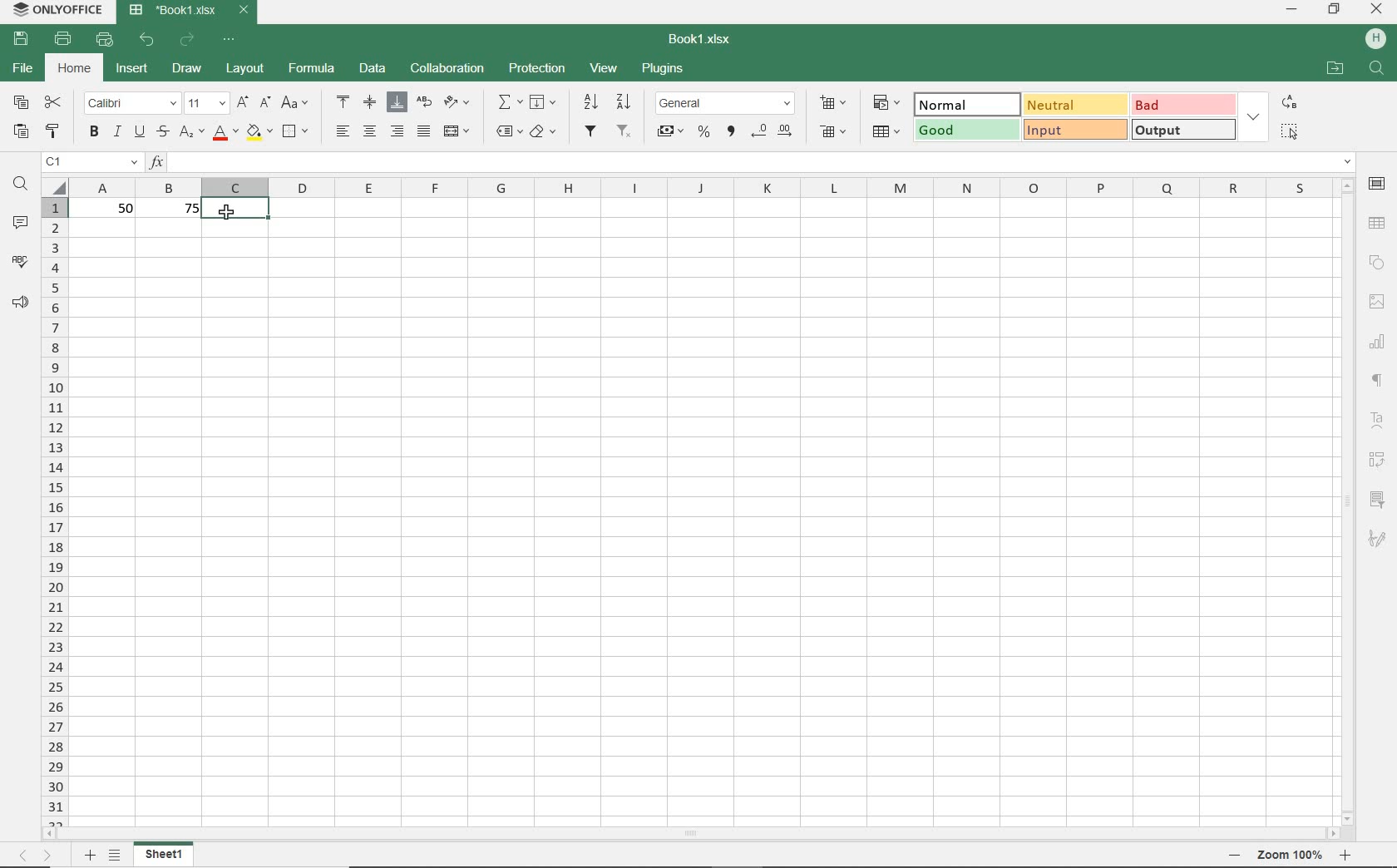  Describe the element at coordinates (1375, 299) in the screenshot. I see `image` at that location.